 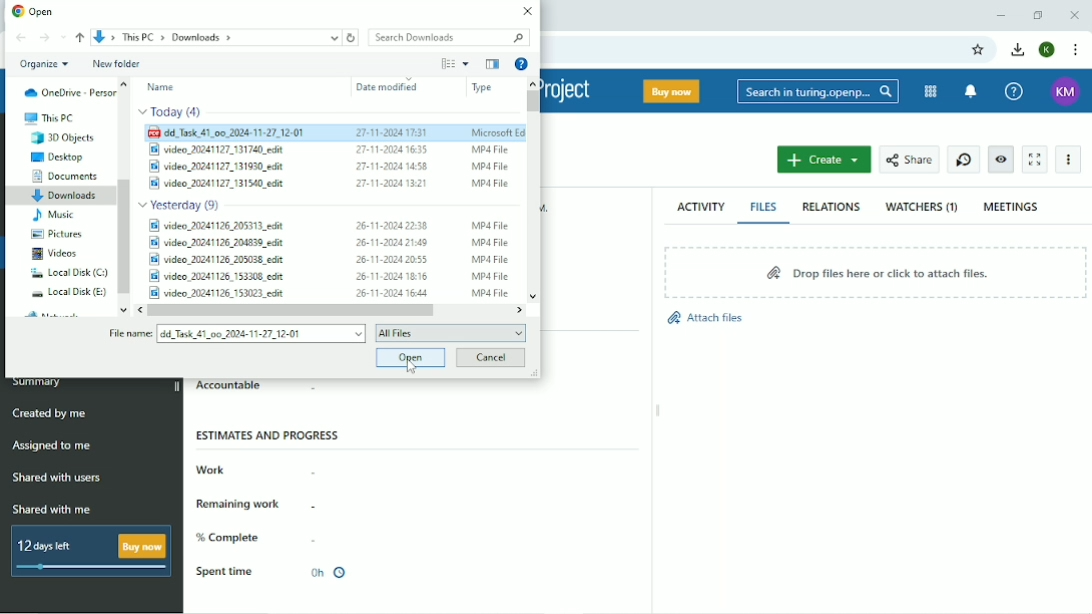 What do you see at coordinates (1016, 91) in the screenshot?
I see `Help` at bounding box center [1016, 91].